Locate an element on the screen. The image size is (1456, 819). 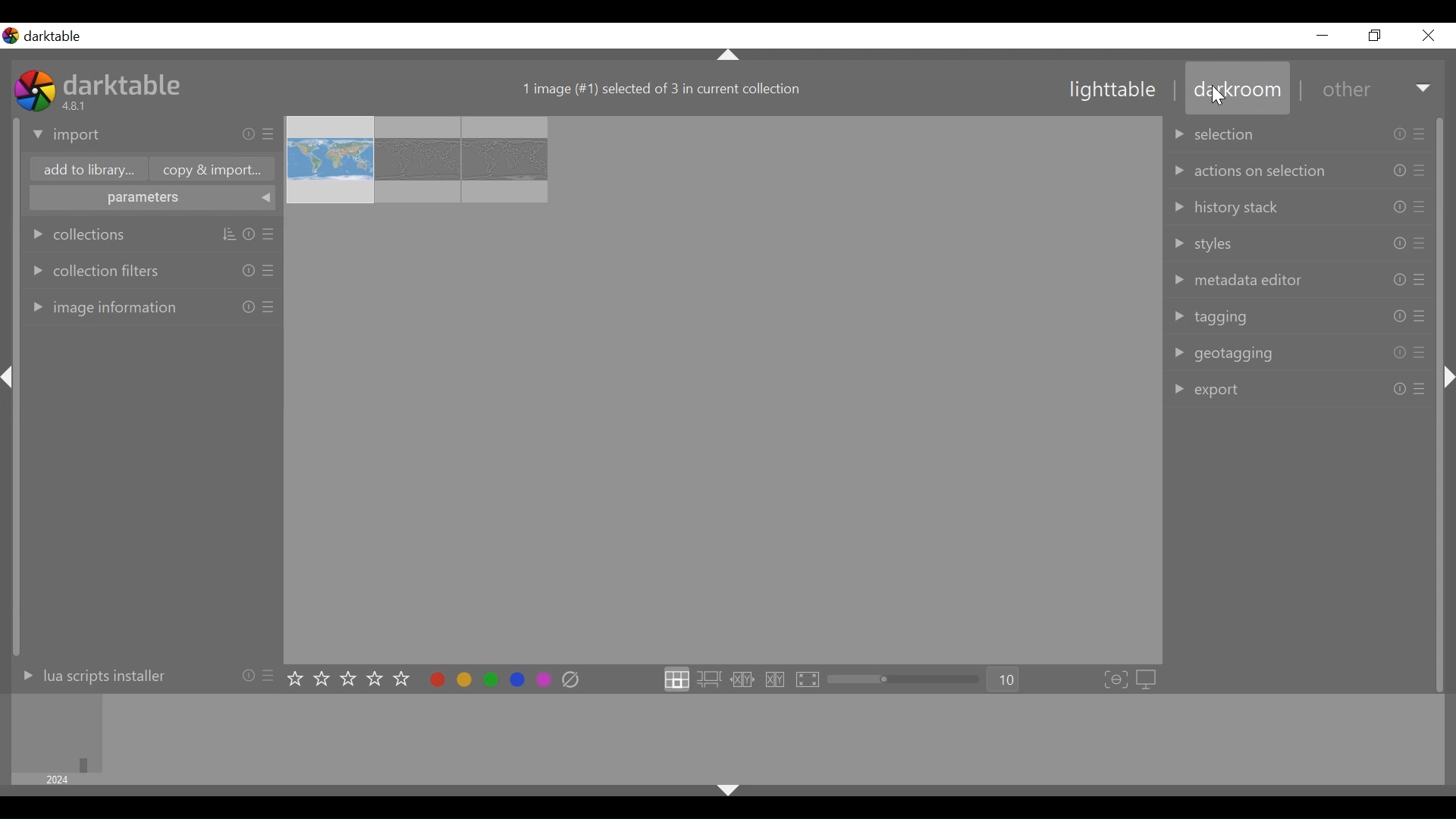
click to enter culling layout in dynamic mode is located at coordinates (773, 679).